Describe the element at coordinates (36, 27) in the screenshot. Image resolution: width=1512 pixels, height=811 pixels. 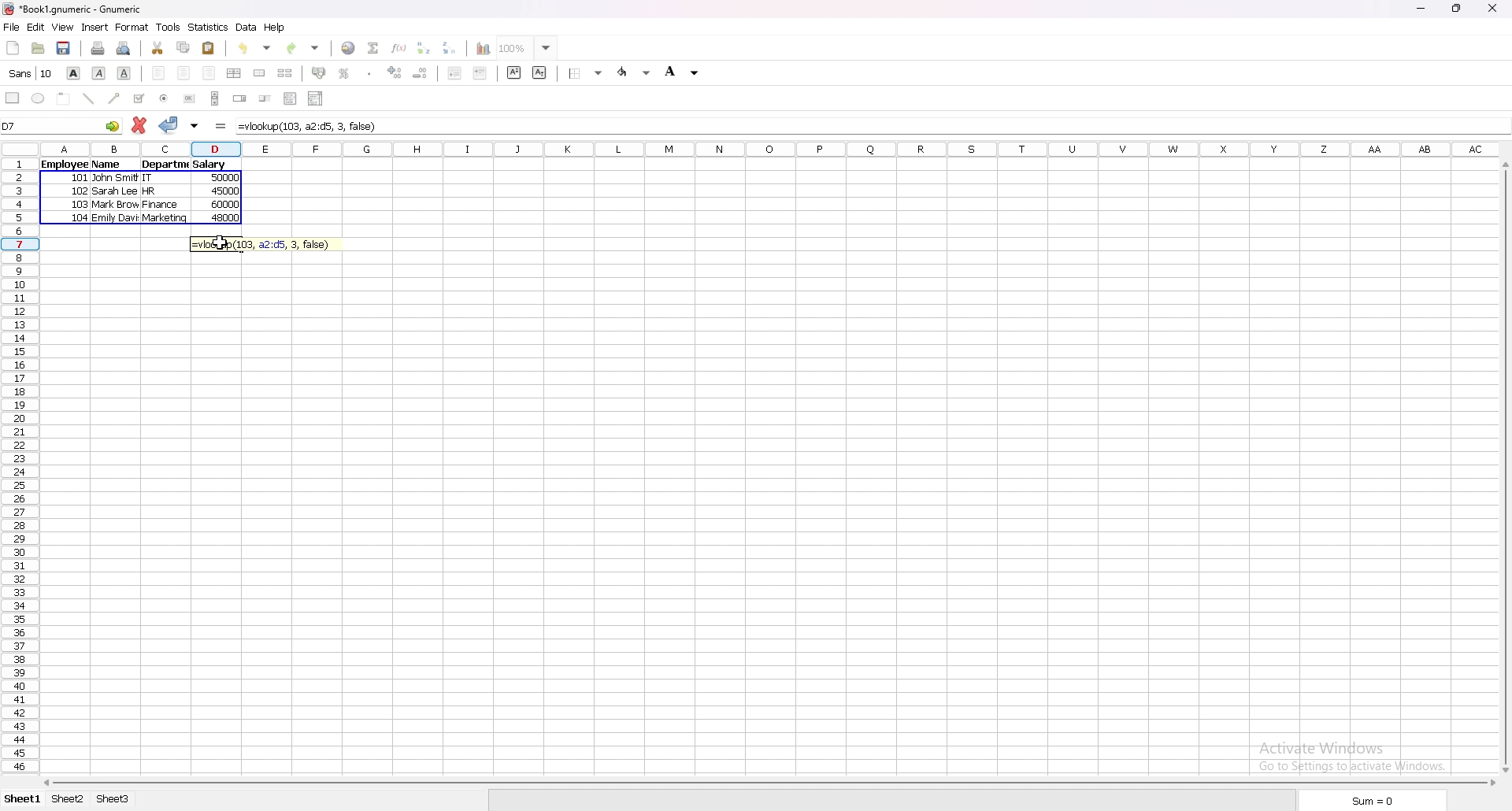
I see `edit` at that location.